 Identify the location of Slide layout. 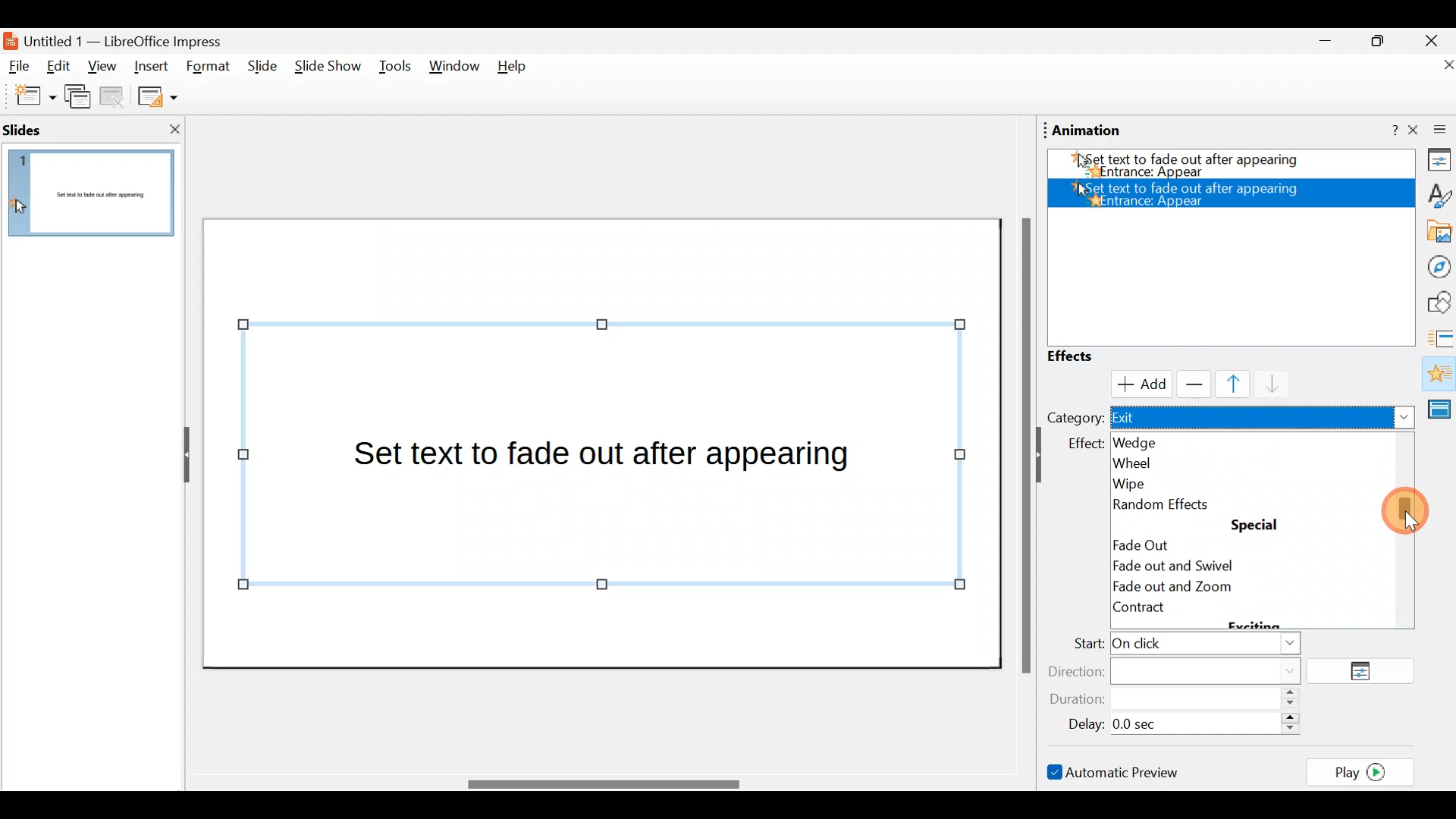
(156, 96).